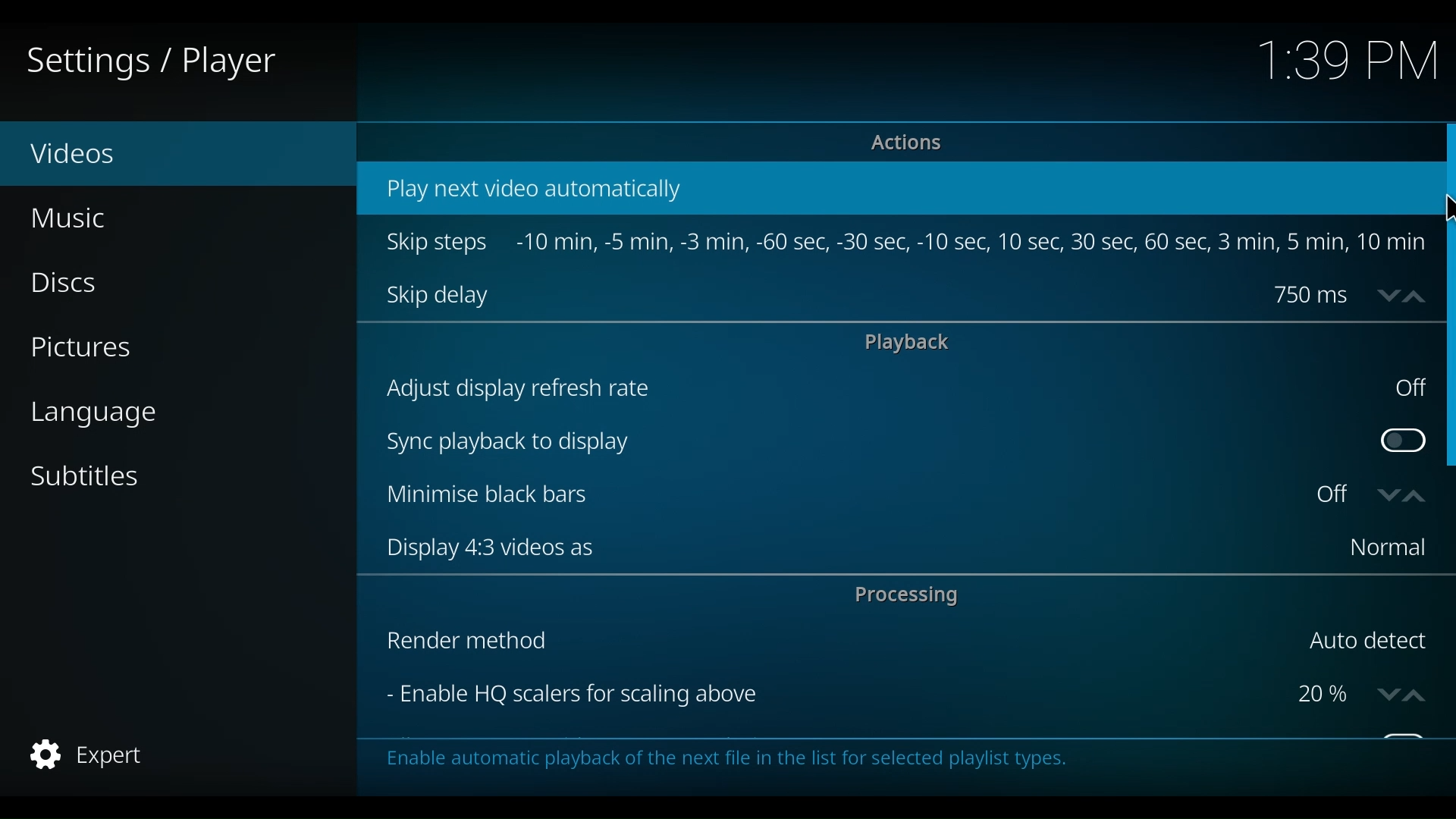 The width and height of the screenshot is (1456, 819). I want to click on Adjust display refresh rate, so click(875, 392).